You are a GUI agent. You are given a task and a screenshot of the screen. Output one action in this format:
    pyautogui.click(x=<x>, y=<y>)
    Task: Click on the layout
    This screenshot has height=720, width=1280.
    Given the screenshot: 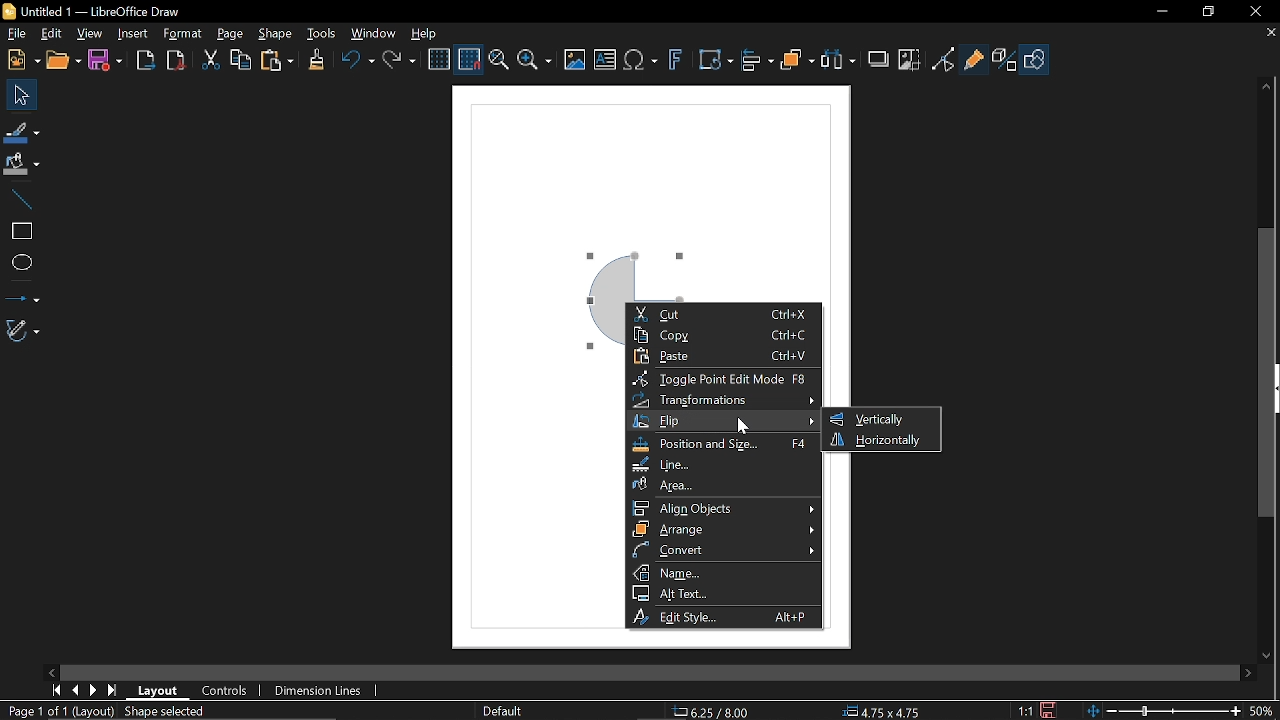 What is the action you would take?
    pyautogui.click(x=159, y=692)
    